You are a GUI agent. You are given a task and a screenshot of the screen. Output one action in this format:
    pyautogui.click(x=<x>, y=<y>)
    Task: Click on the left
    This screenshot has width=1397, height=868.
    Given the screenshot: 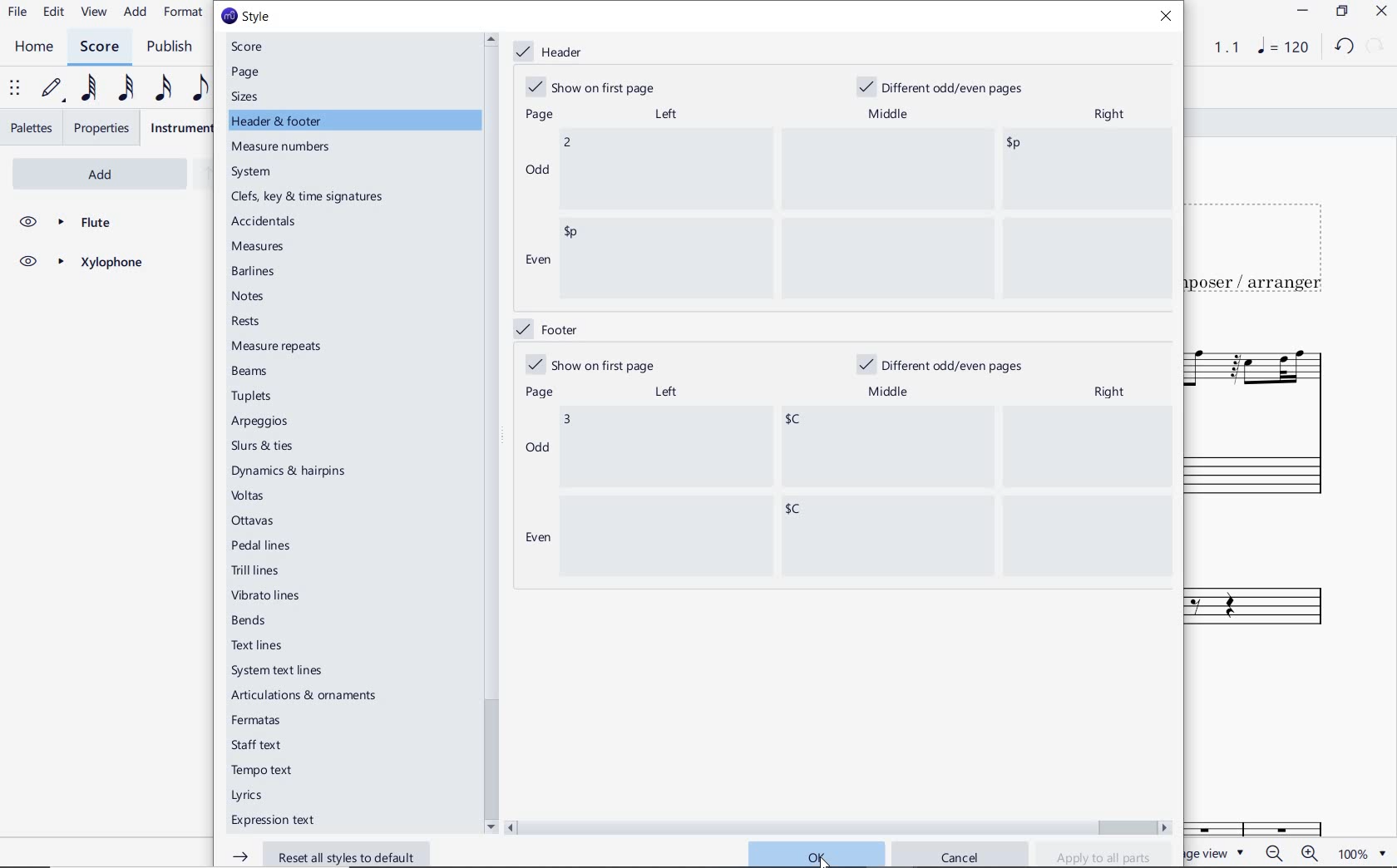 What is the action you would take?
    pyautogui.click(x=665, y=392)
    